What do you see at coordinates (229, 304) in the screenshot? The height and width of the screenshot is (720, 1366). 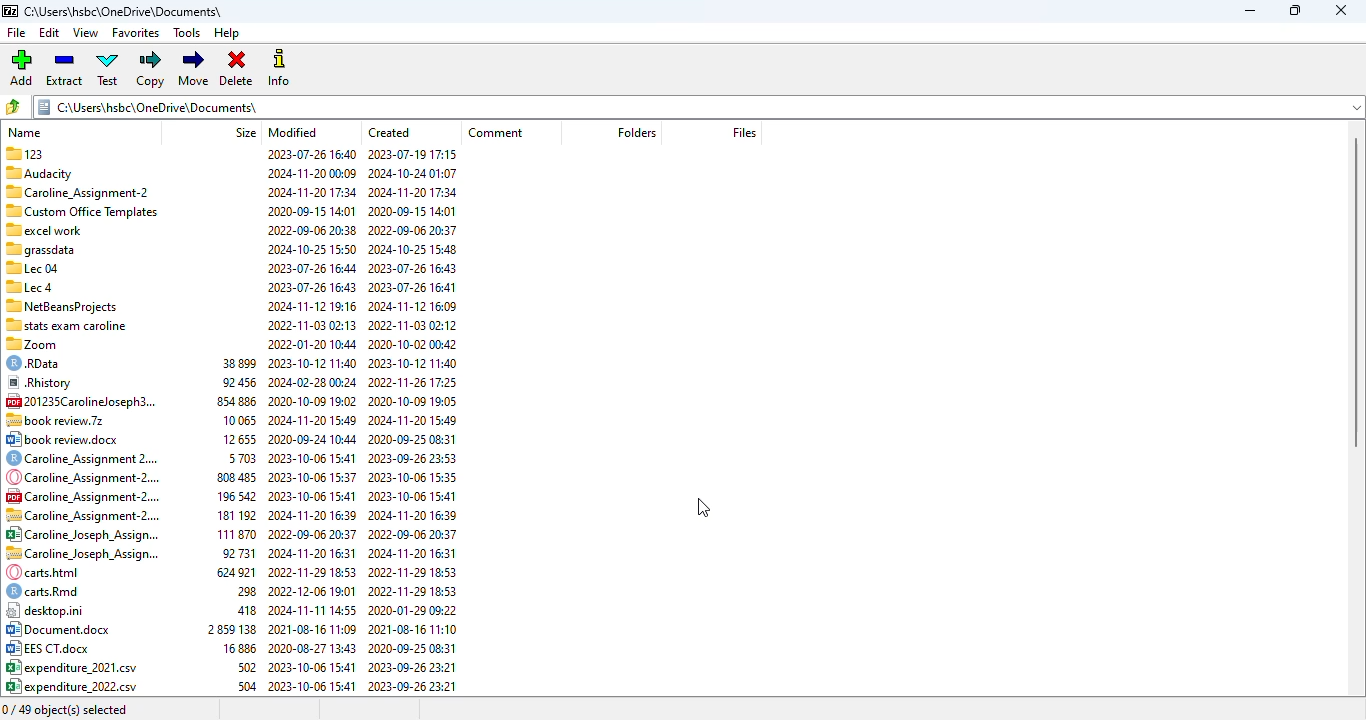 I see `| Bl stats exam caroline 2022-11-03 02:13 2022-11-03 02:12` at bounding box center [229, 304].